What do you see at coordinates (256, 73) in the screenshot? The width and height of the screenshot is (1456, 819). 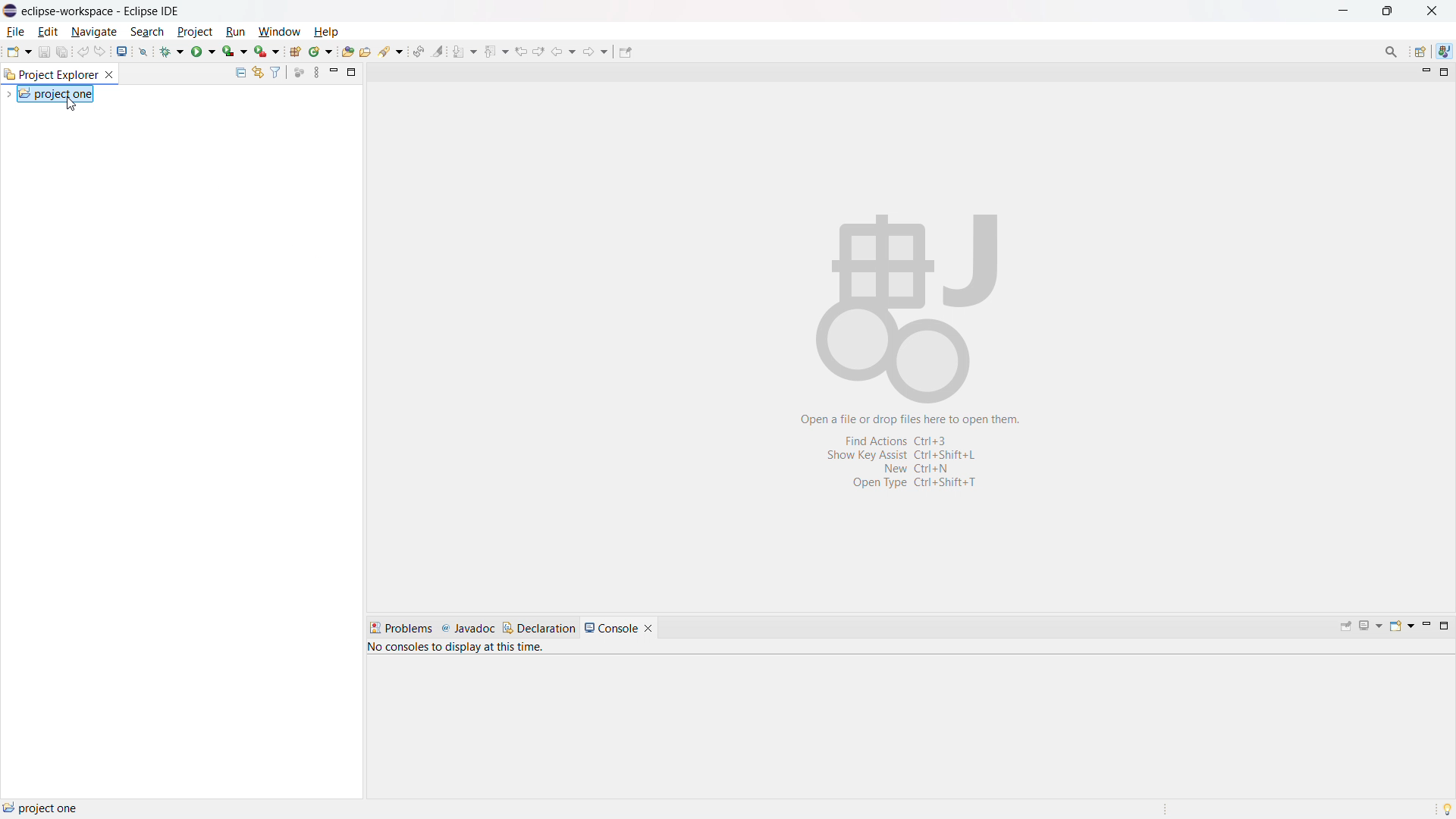 I see `link to editor` at bounding box center [256, 73].